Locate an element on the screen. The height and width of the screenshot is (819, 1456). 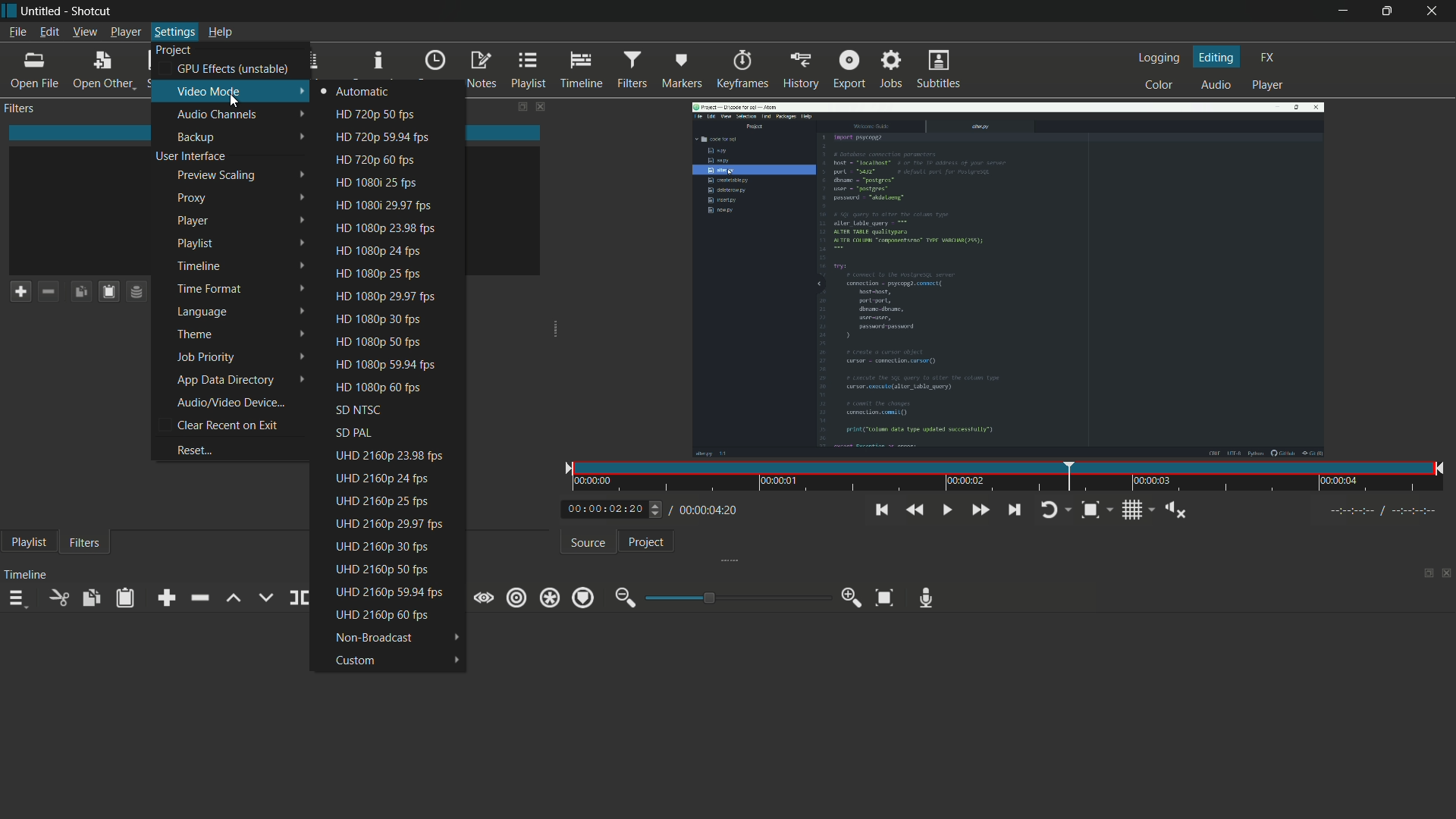
backup is located at coordinates (235, 137).